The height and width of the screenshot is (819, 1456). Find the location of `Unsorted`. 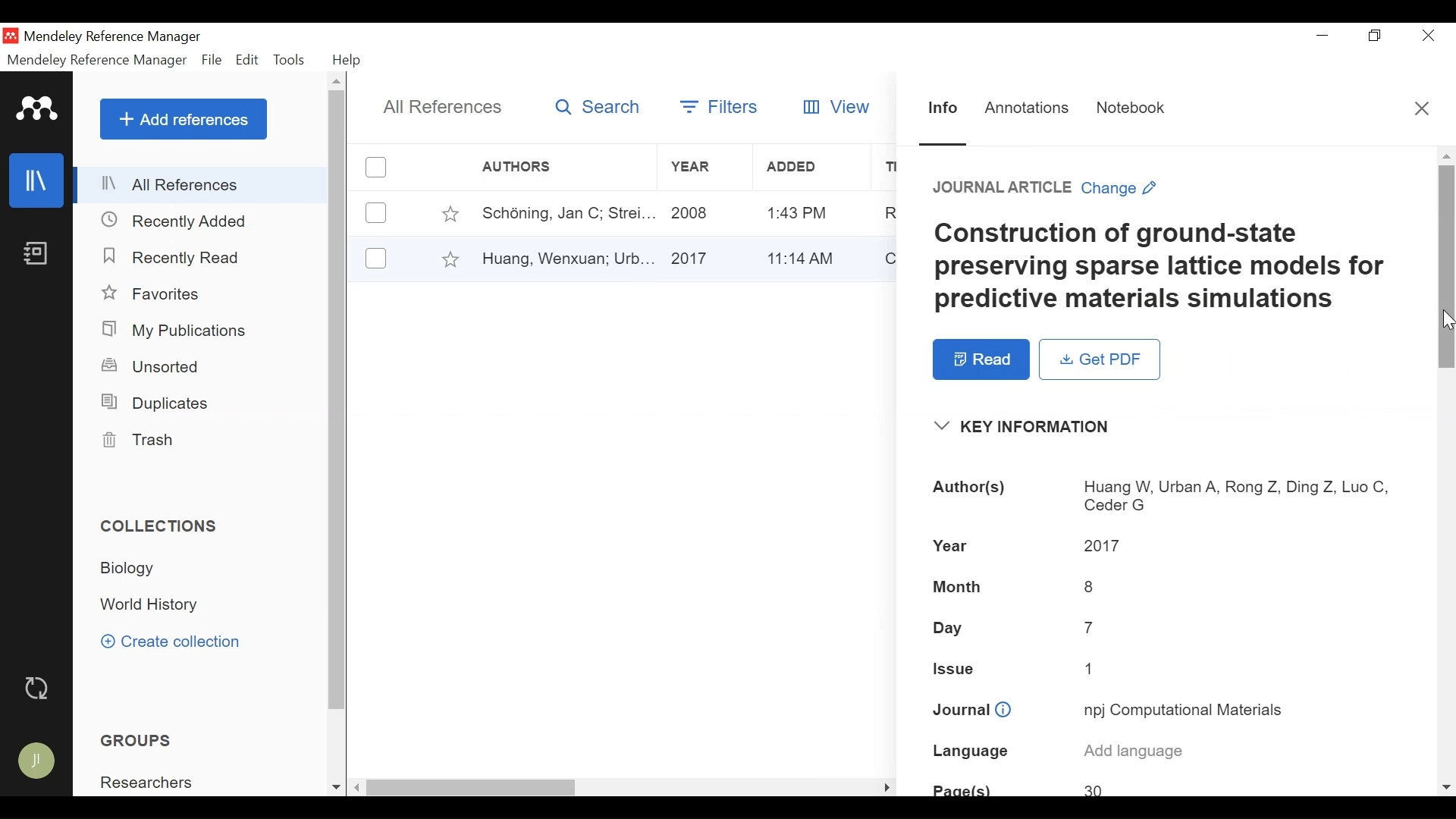

Unsorted is located at coordinates (152, 366).